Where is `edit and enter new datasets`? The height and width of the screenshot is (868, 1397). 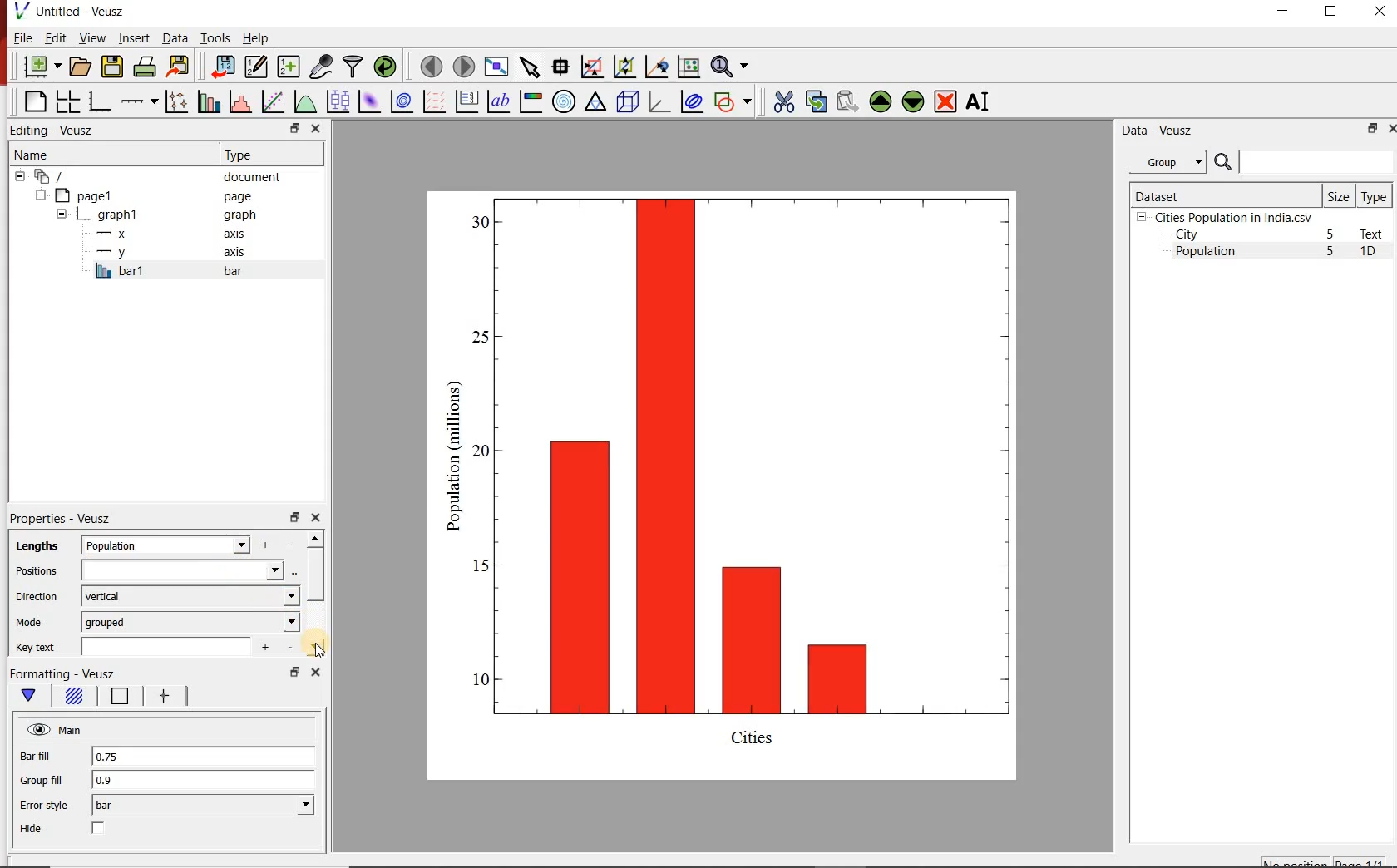
edit and enter new datasets is located at coordinates (254, 67).